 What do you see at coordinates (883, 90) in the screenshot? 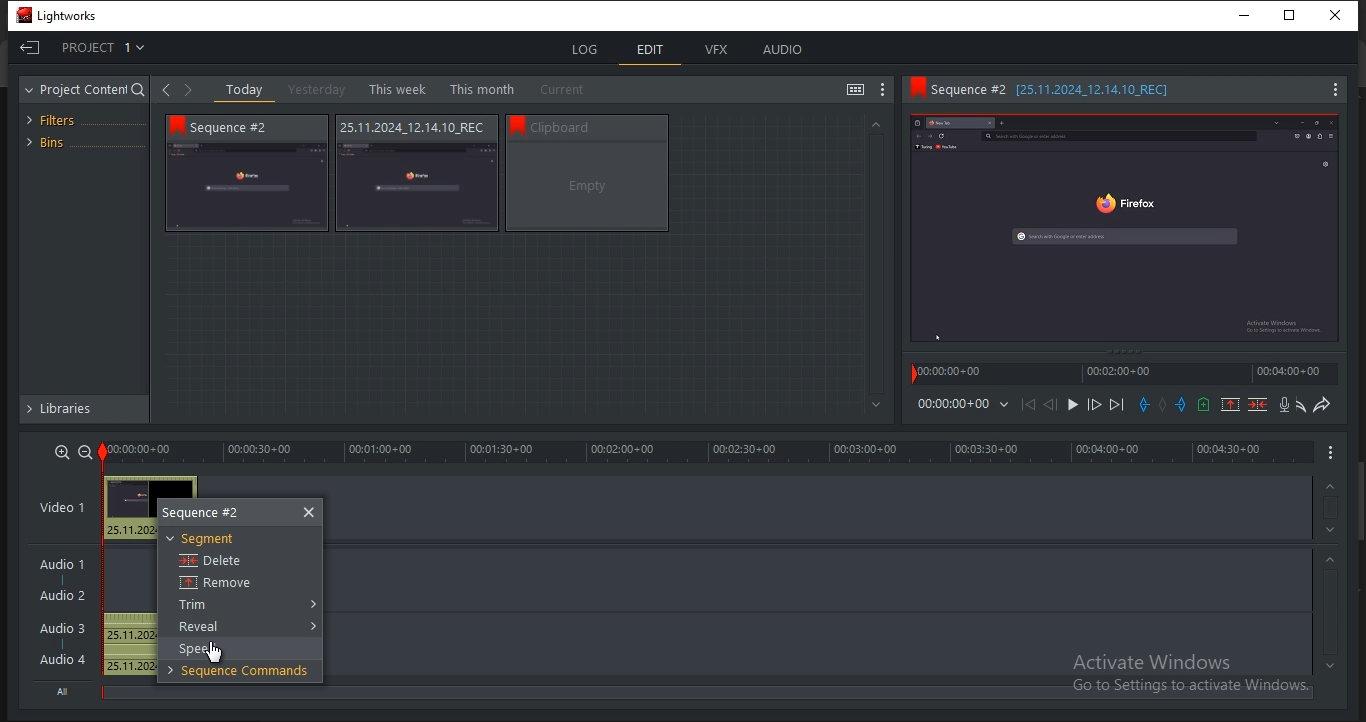
I see `show settings menu` at bounding box center [883, 90].